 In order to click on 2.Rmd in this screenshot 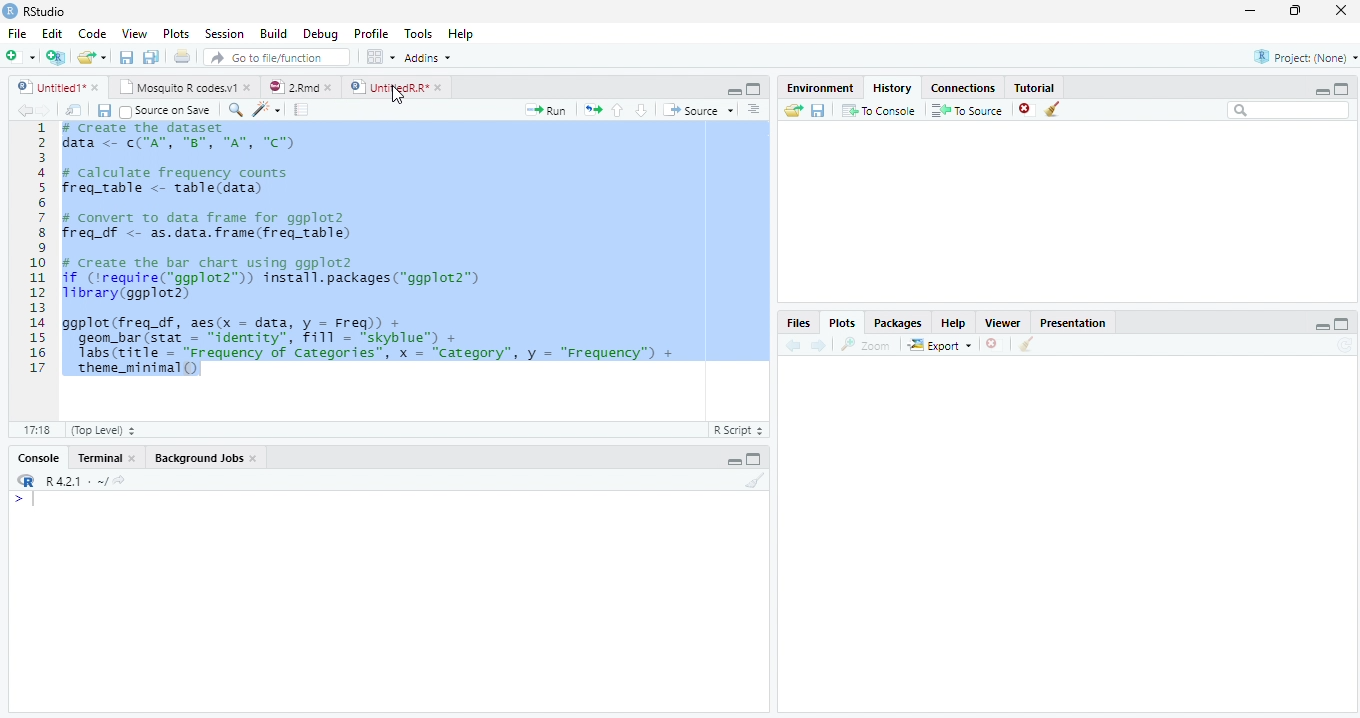, I will do `click(300, 89)`.